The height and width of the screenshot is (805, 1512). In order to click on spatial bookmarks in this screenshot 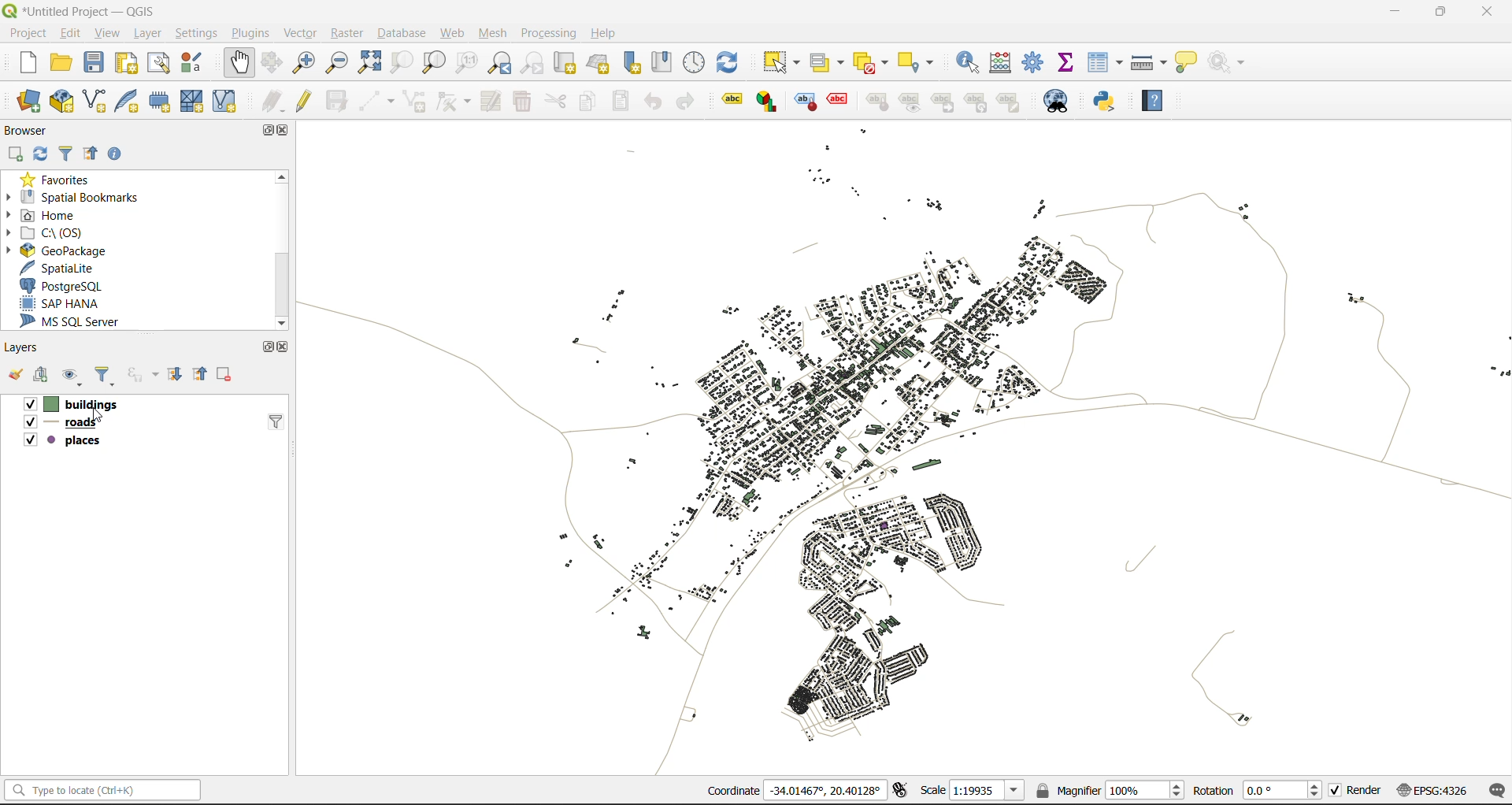, I will do `click(81, 198)`.